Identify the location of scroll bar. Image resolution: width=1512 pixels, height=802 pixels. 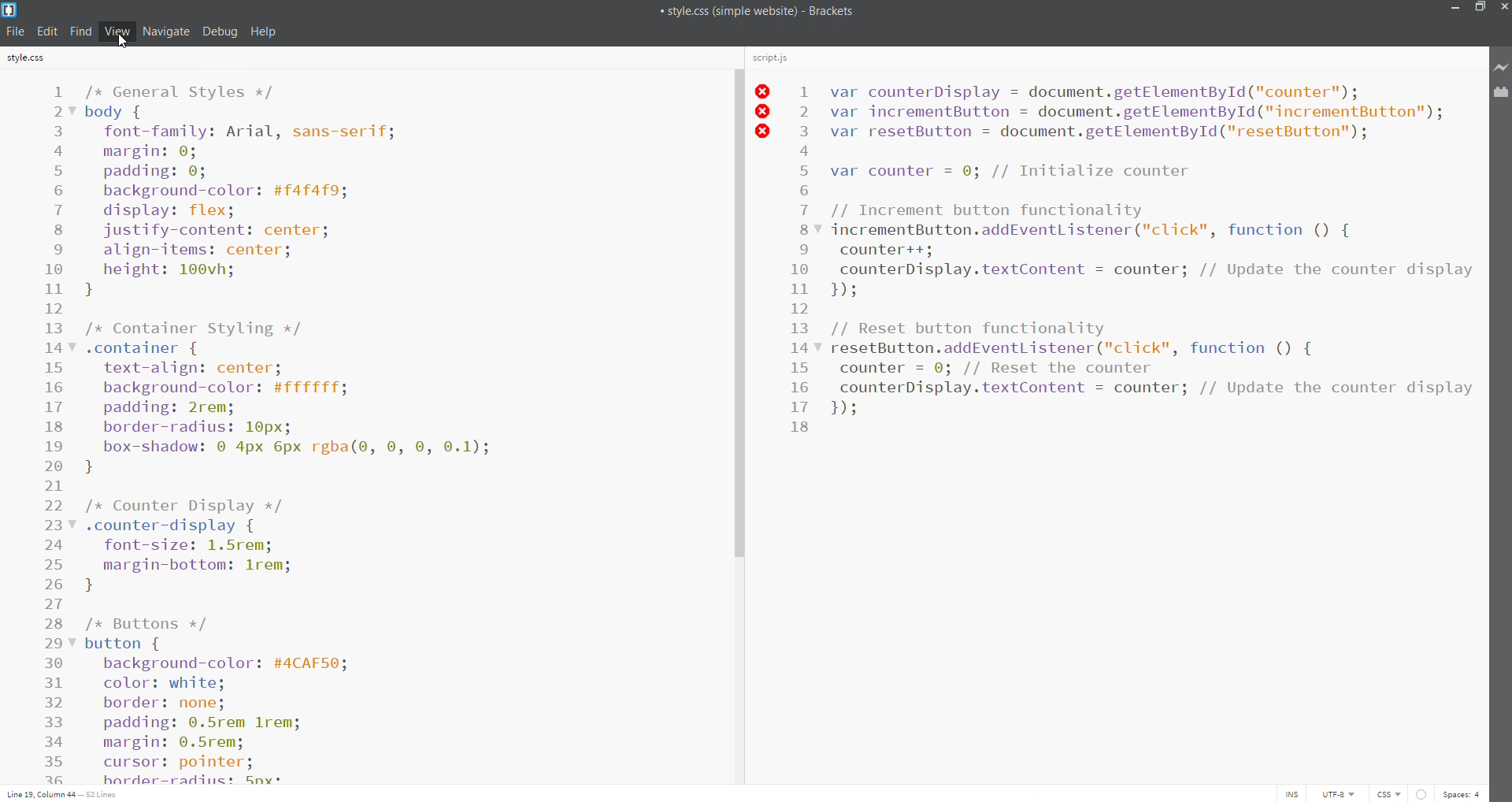
(736, 414).